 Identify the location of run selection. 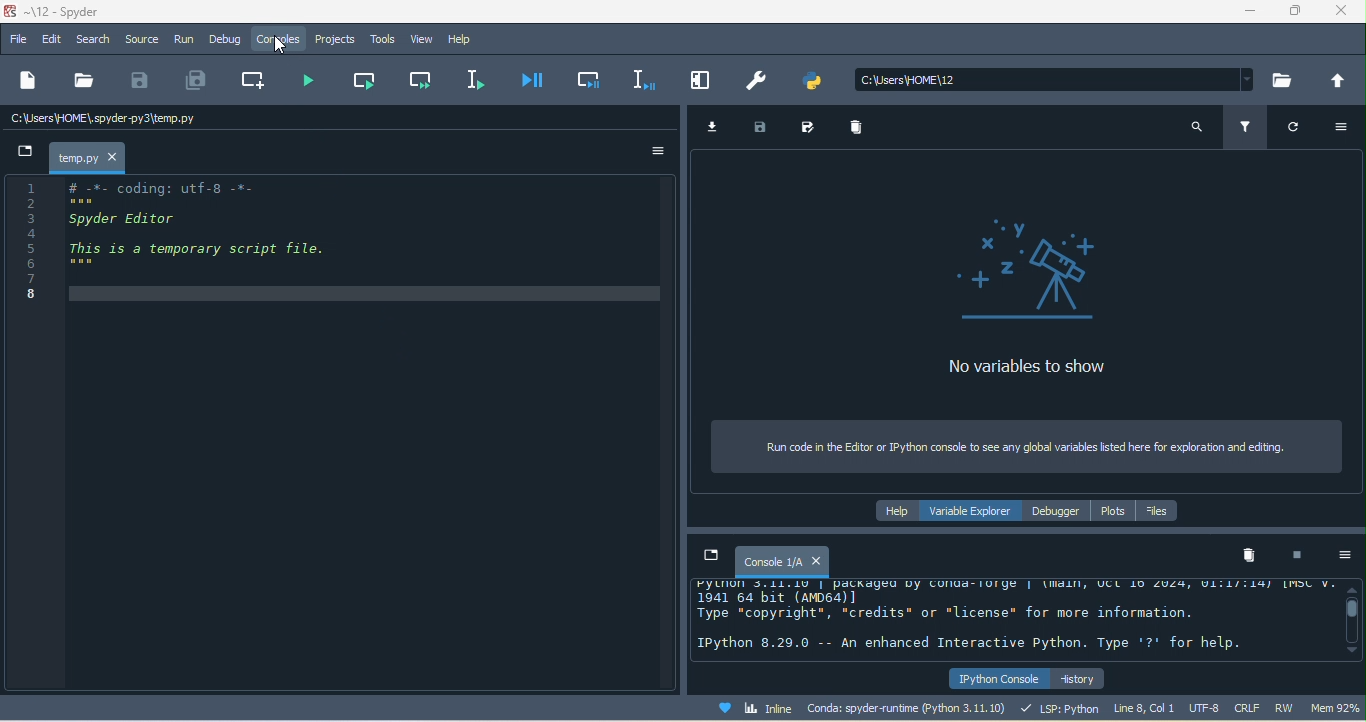
(480, 80).